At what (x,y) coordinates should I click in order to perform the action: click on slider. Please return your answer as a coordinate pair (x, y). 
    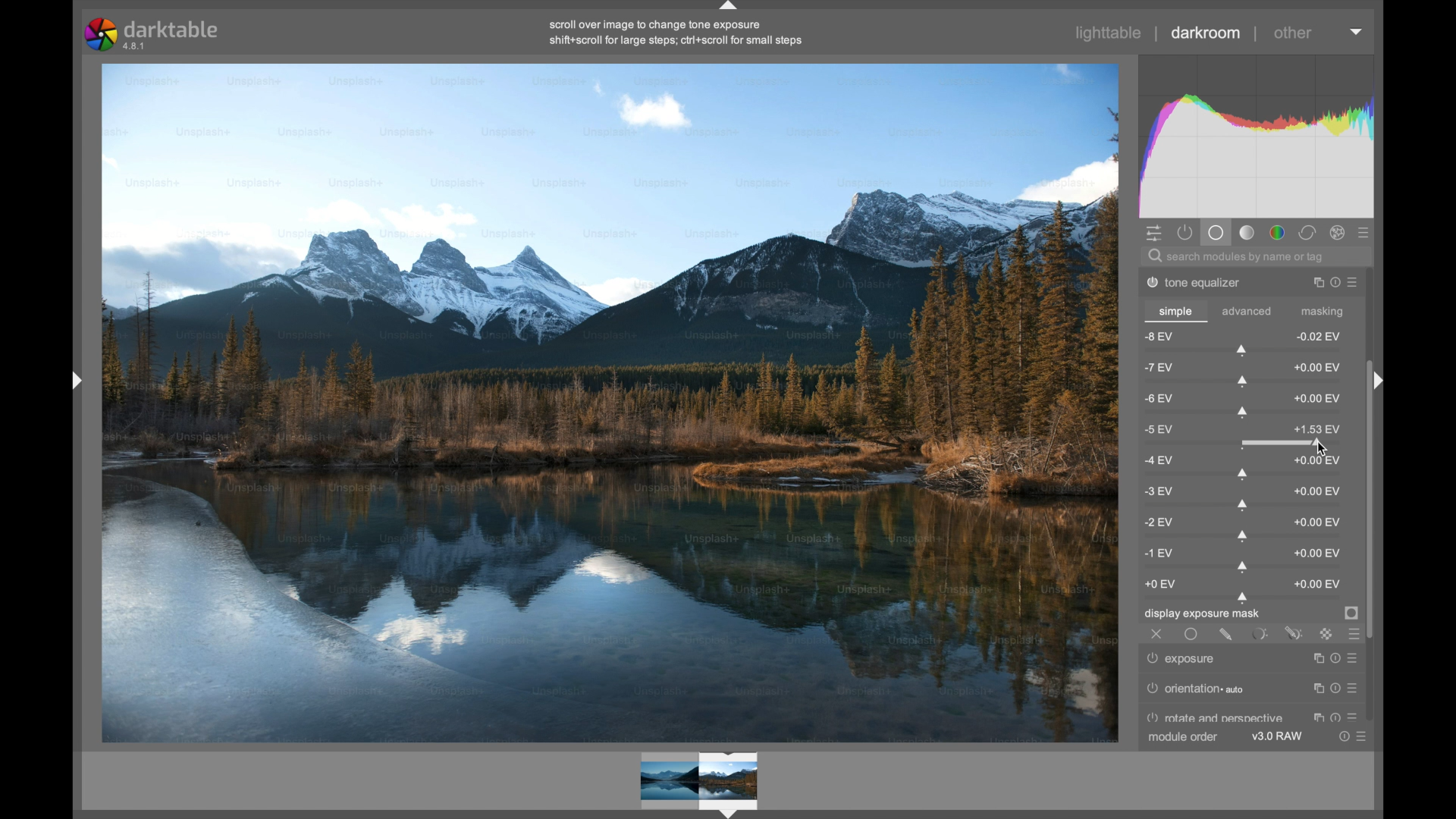
    Looking at the image, I should click on (1241, 595).